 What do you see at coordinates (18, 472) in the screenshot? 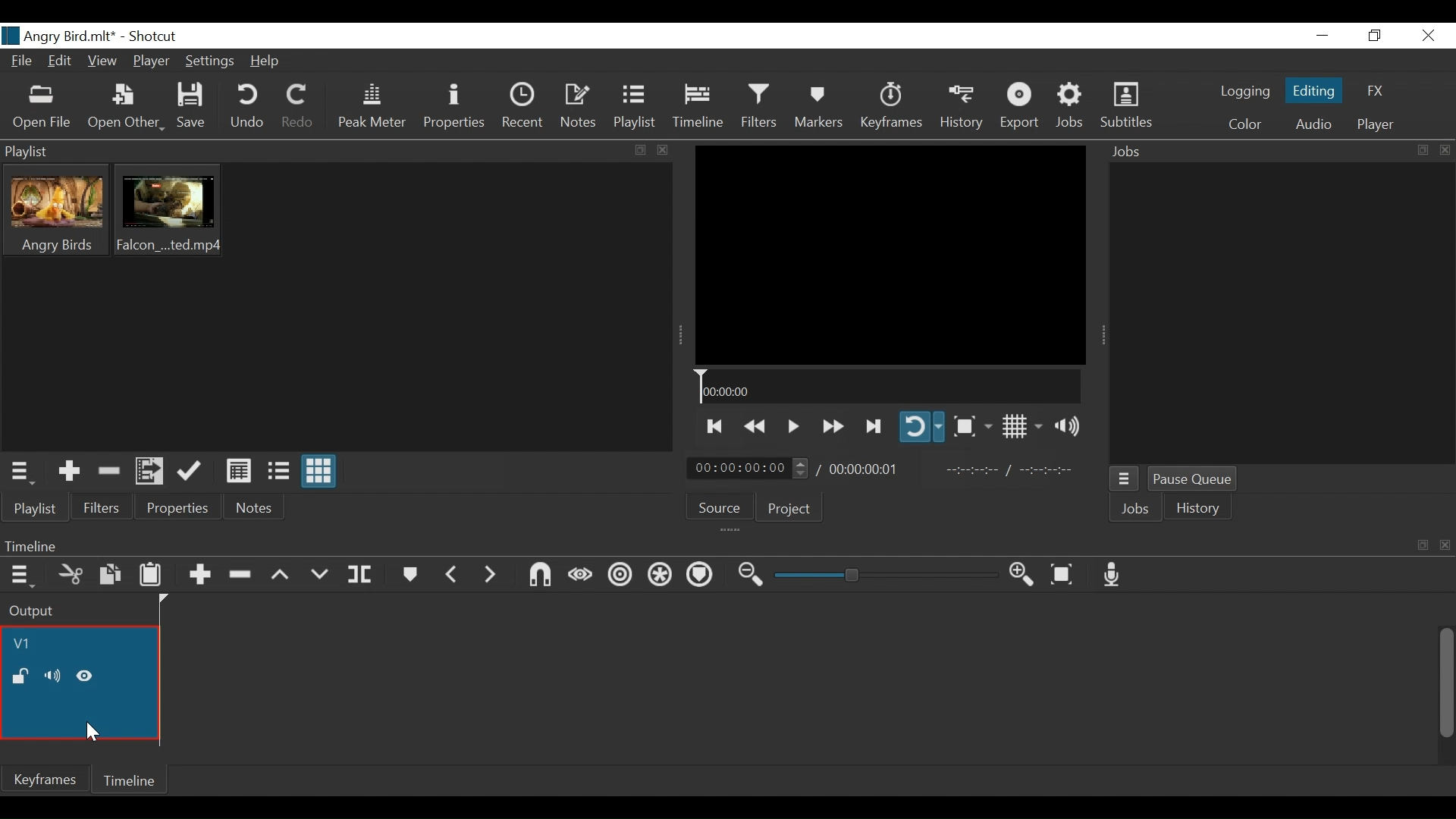
I see `Playlist menu` at bounding box center [18, 472].